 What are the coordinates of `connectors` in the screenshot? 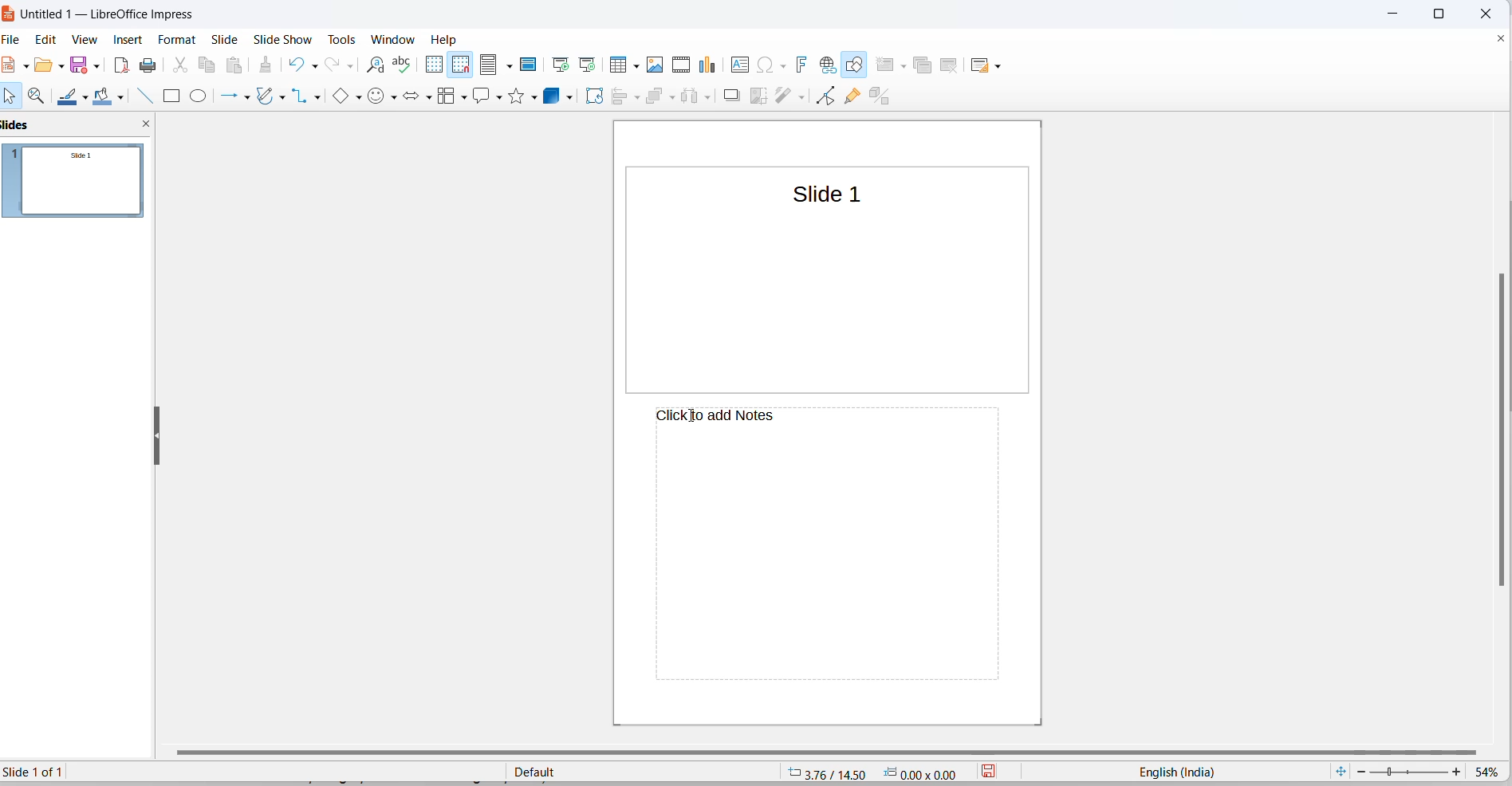 It's located at (303, 96).